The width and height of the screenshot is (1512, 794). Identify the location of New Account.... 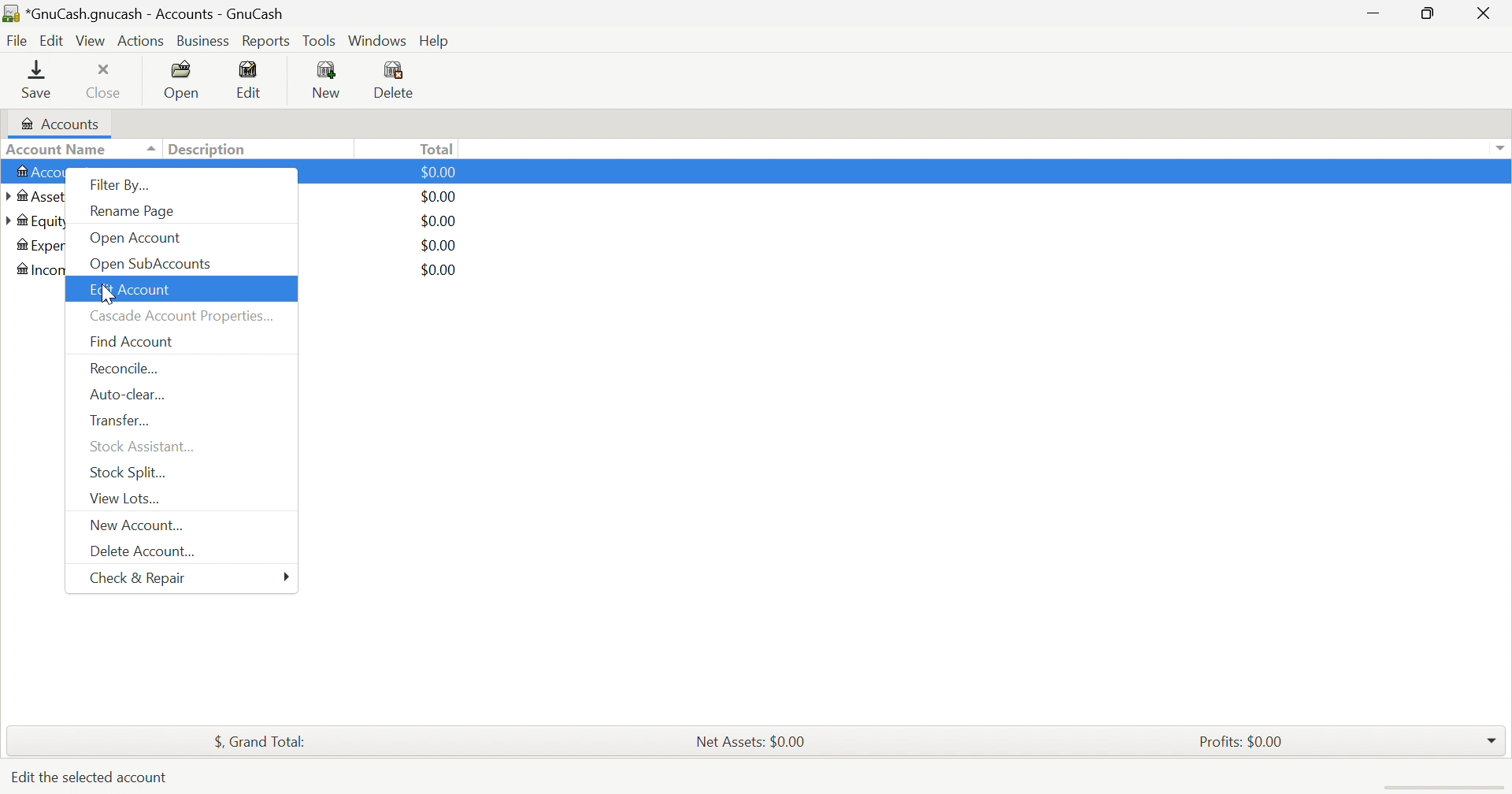
(140, 526).